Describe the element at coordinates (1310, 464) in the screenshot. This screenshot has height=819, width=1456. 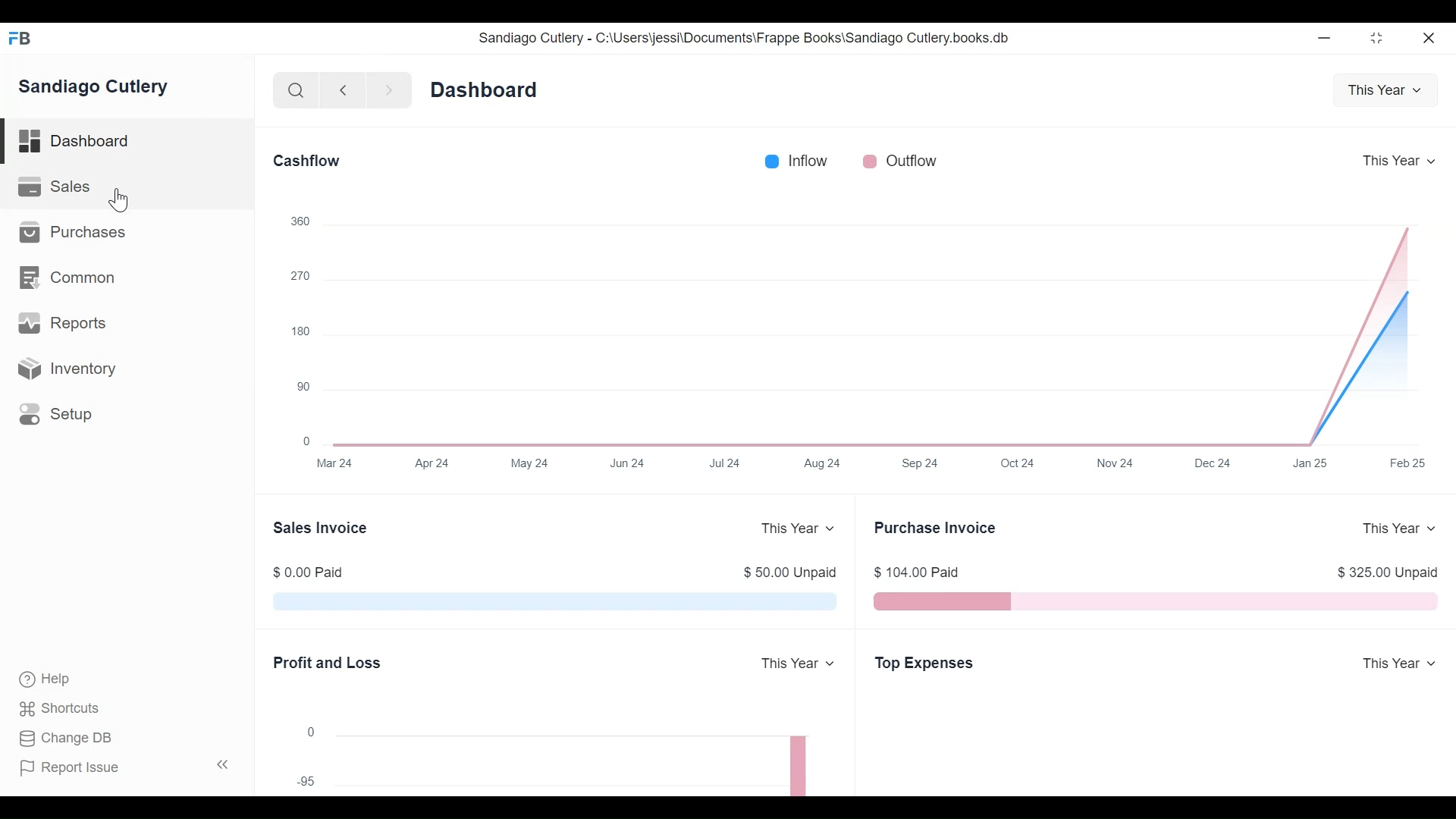
I see `Jan 25` at that location.